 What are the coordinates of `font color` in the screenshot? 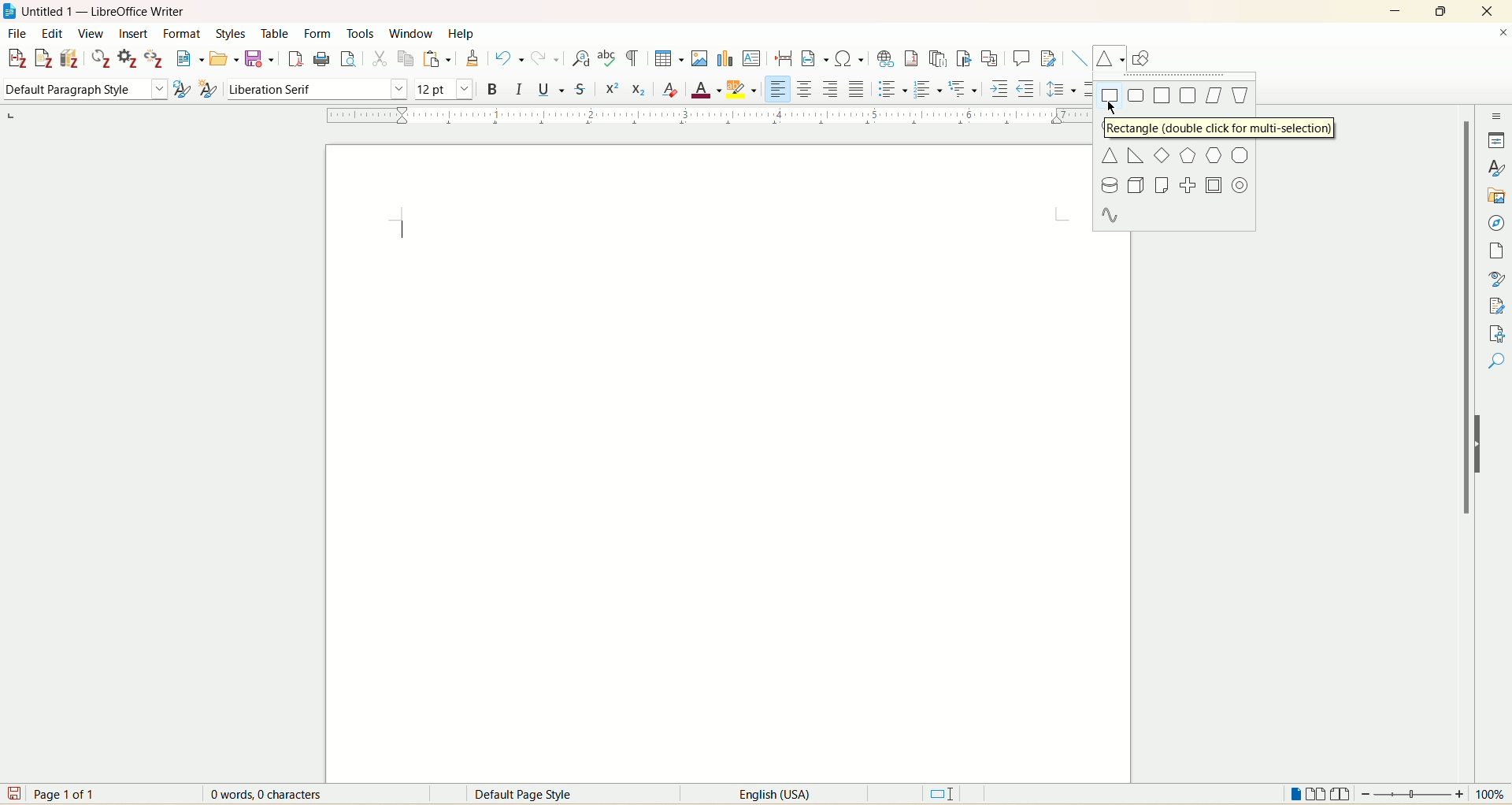 It's located at (707, 89).